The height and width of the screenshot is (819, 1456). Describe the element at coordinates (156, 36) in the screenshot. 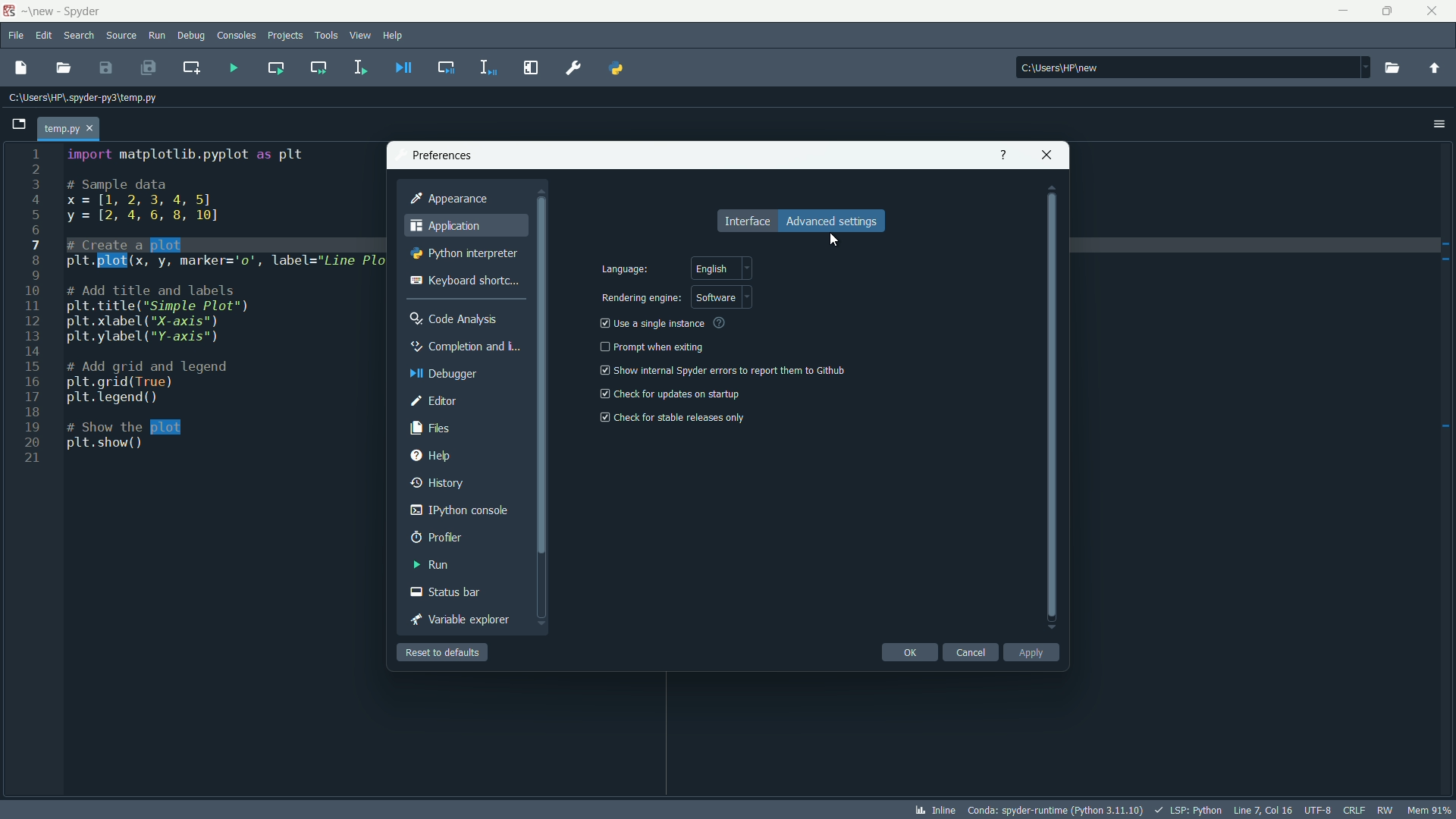

I see `run` at that location.